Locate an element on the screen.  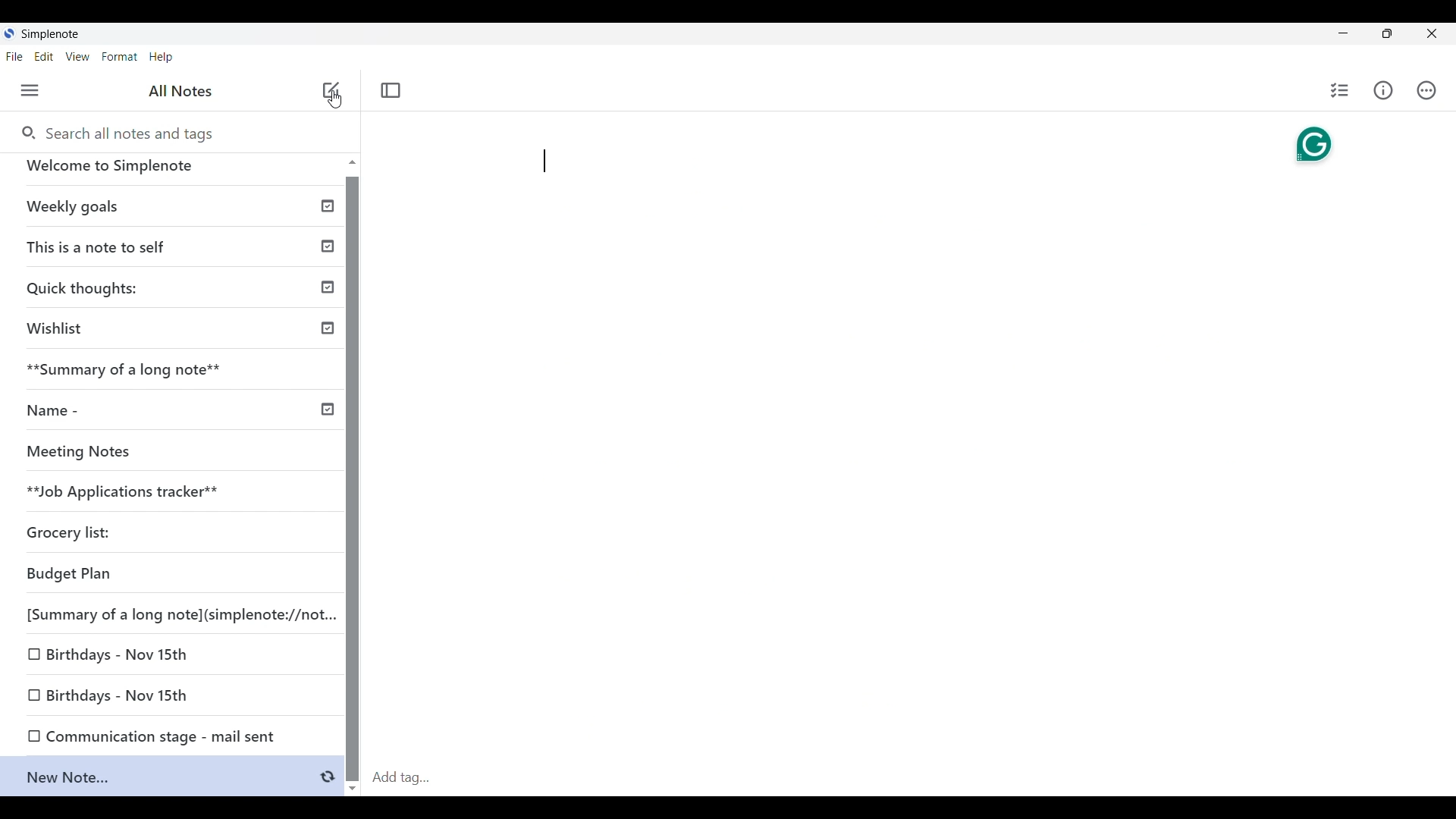
Unpublished note is located at coordinates (122, 696).